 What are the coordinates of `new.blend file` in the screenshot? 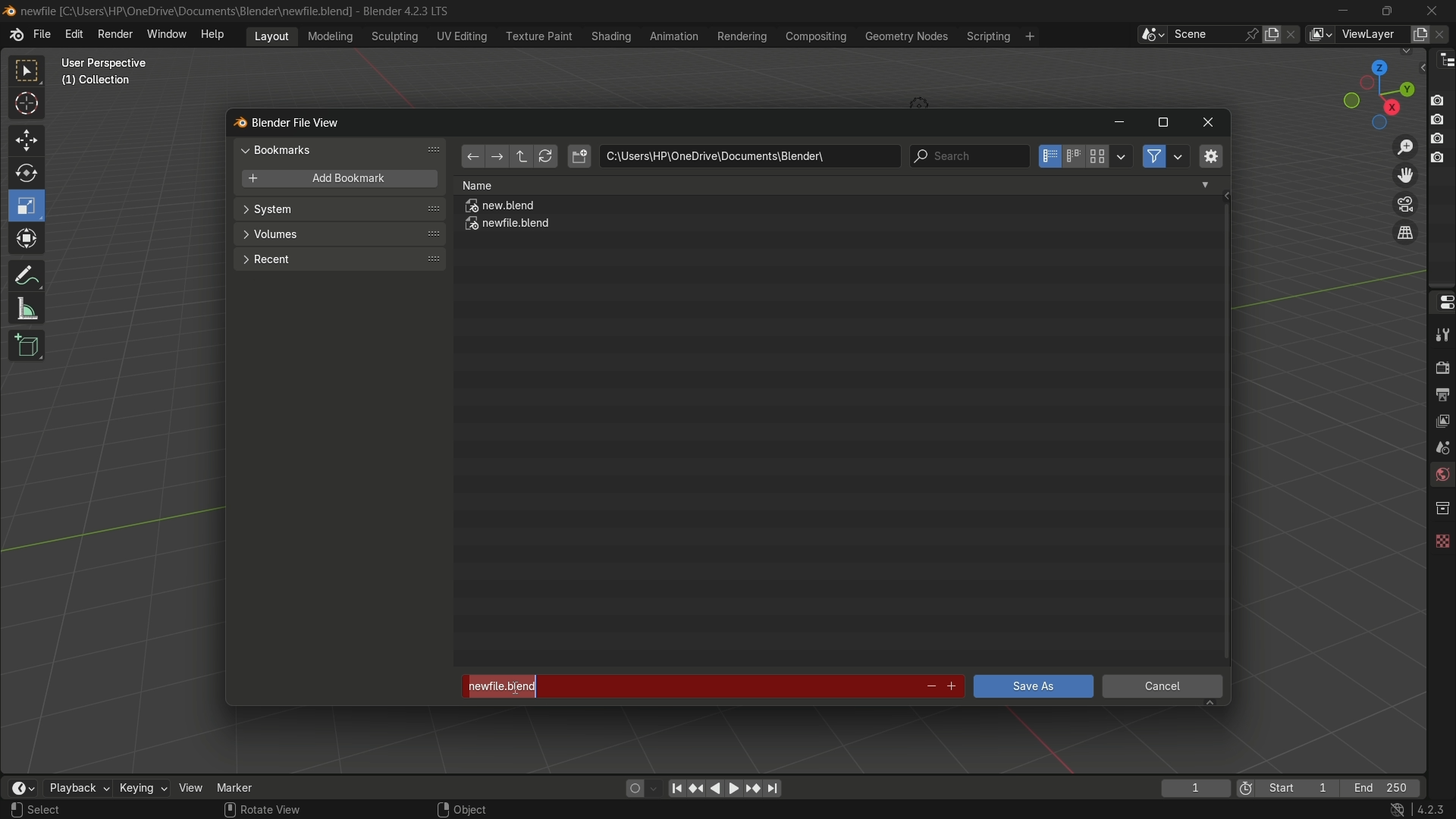 It's located at (501, 208).